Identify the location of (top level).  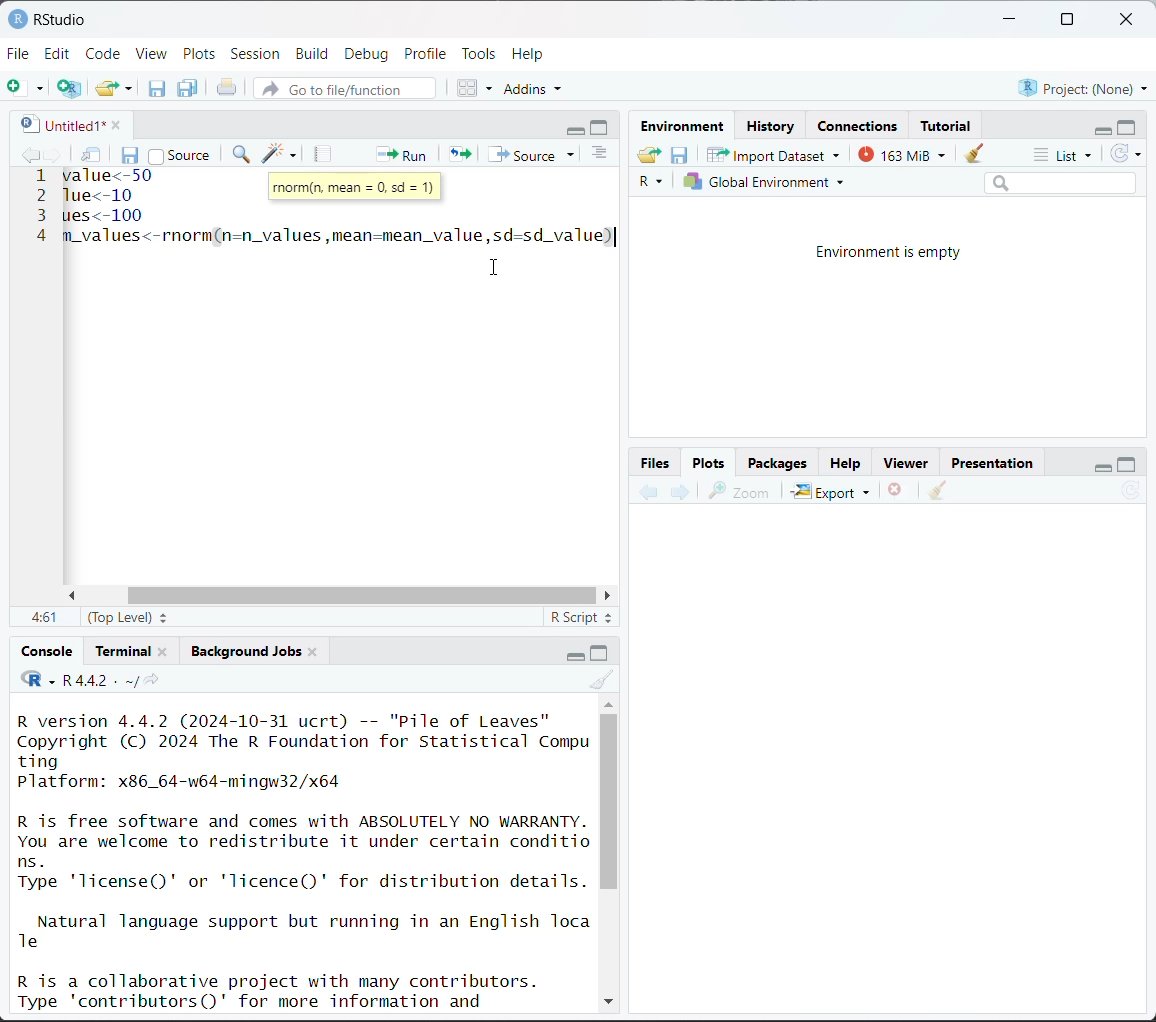
(130, 617).